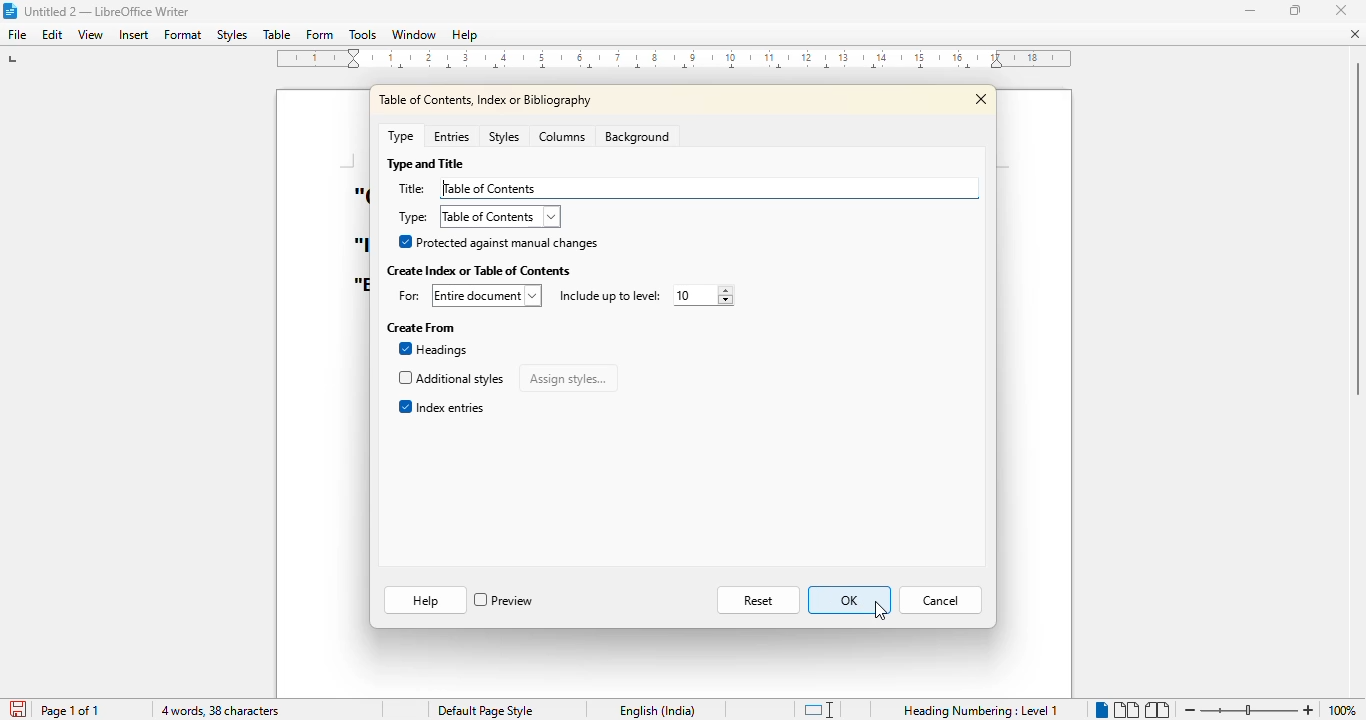  I want to click on entries, so click(452, 137).